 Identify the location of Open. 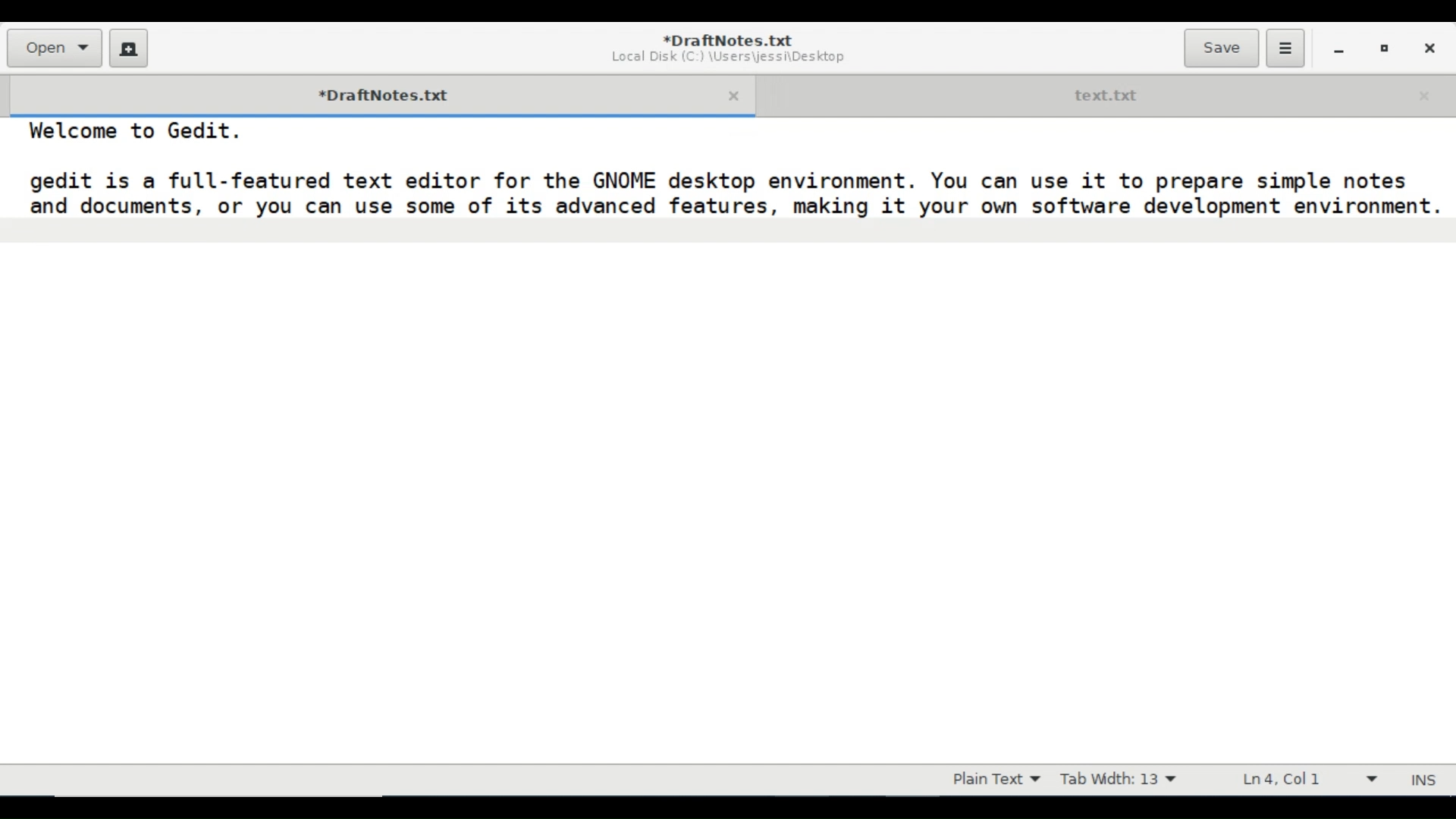
(53, 48).